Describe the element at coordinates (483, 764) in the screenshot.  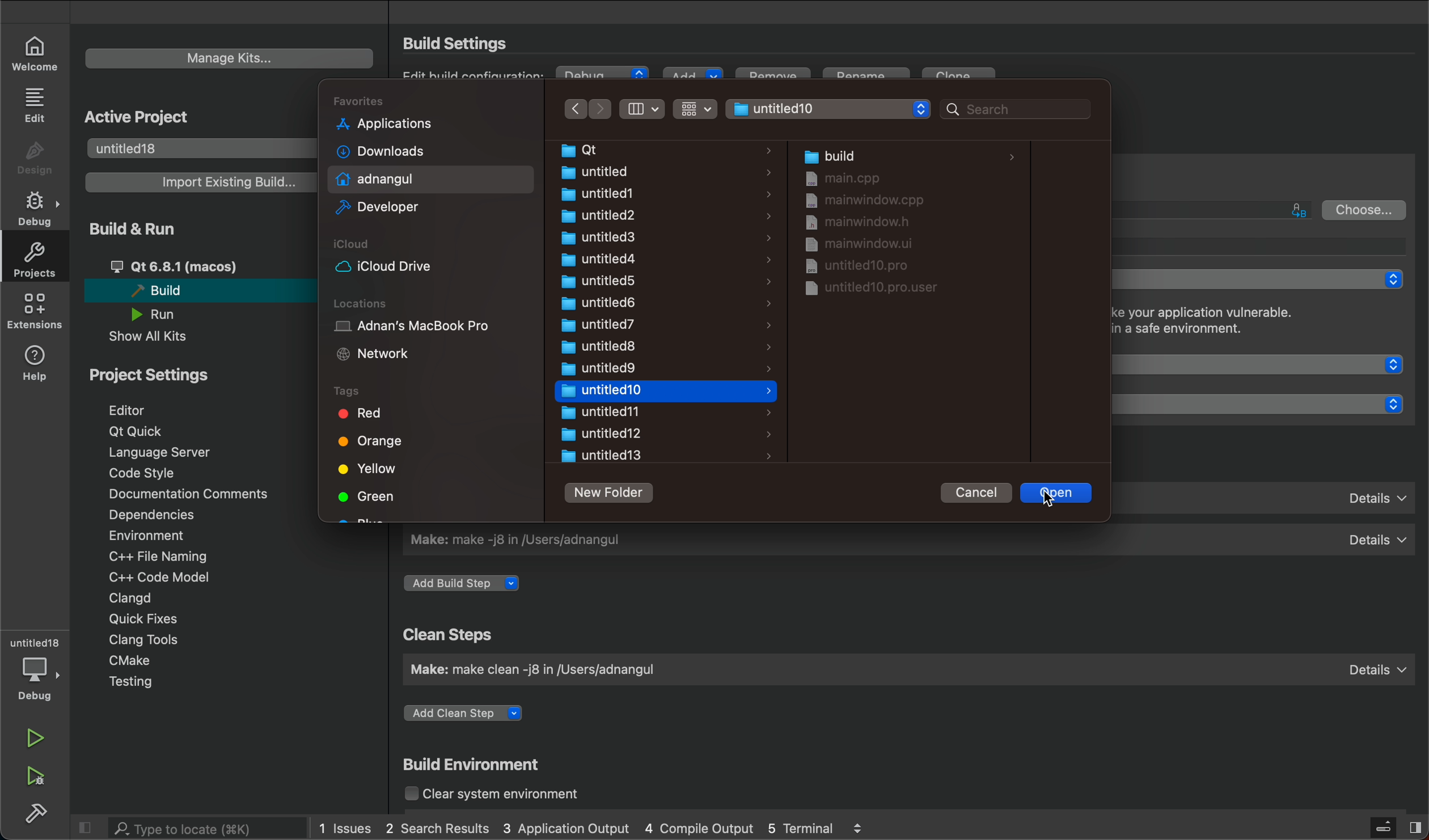
I see `build environment` at that location.